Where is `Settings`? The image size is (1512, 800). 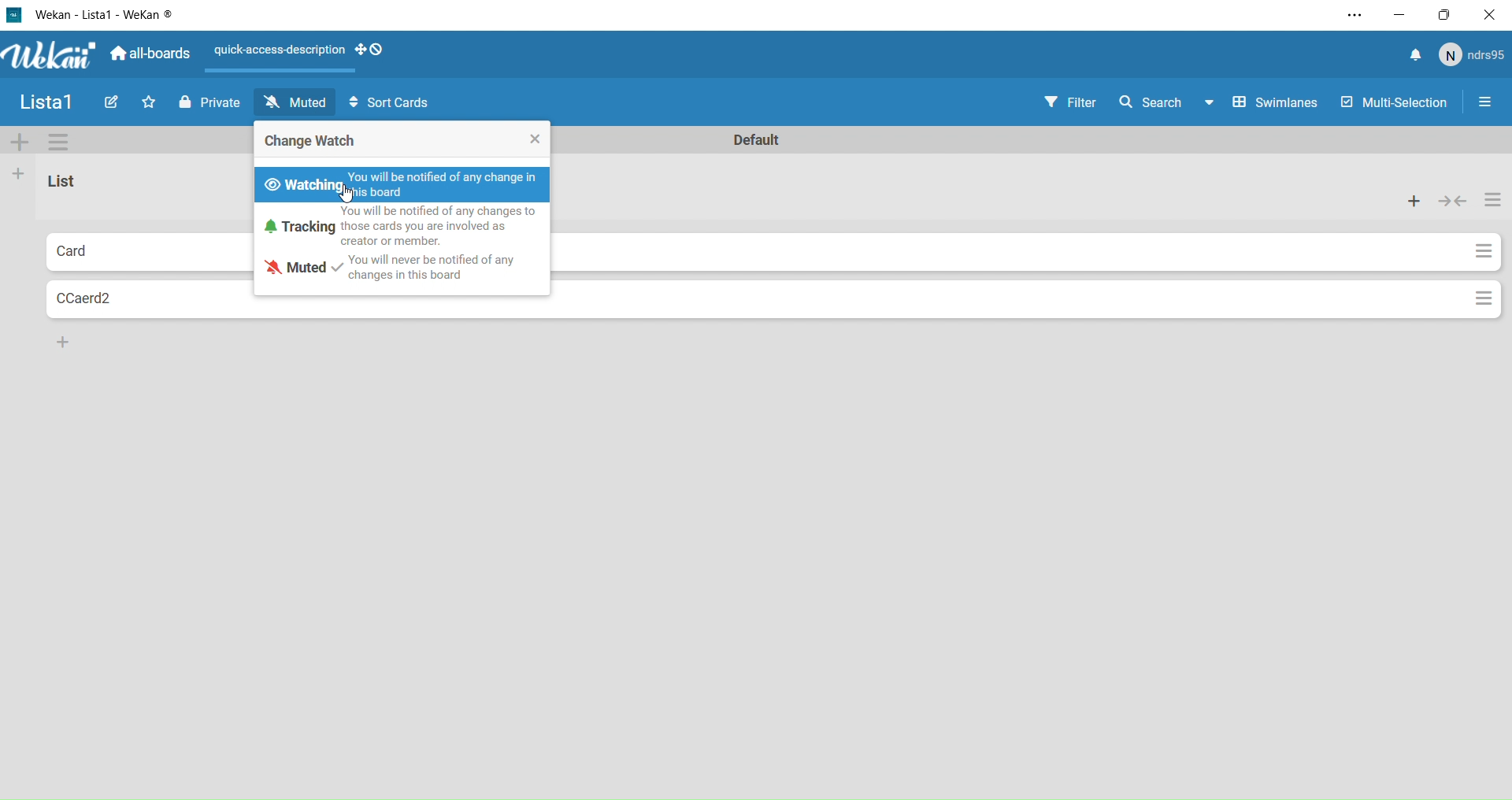 Settings is located at coordinates (58, 142).